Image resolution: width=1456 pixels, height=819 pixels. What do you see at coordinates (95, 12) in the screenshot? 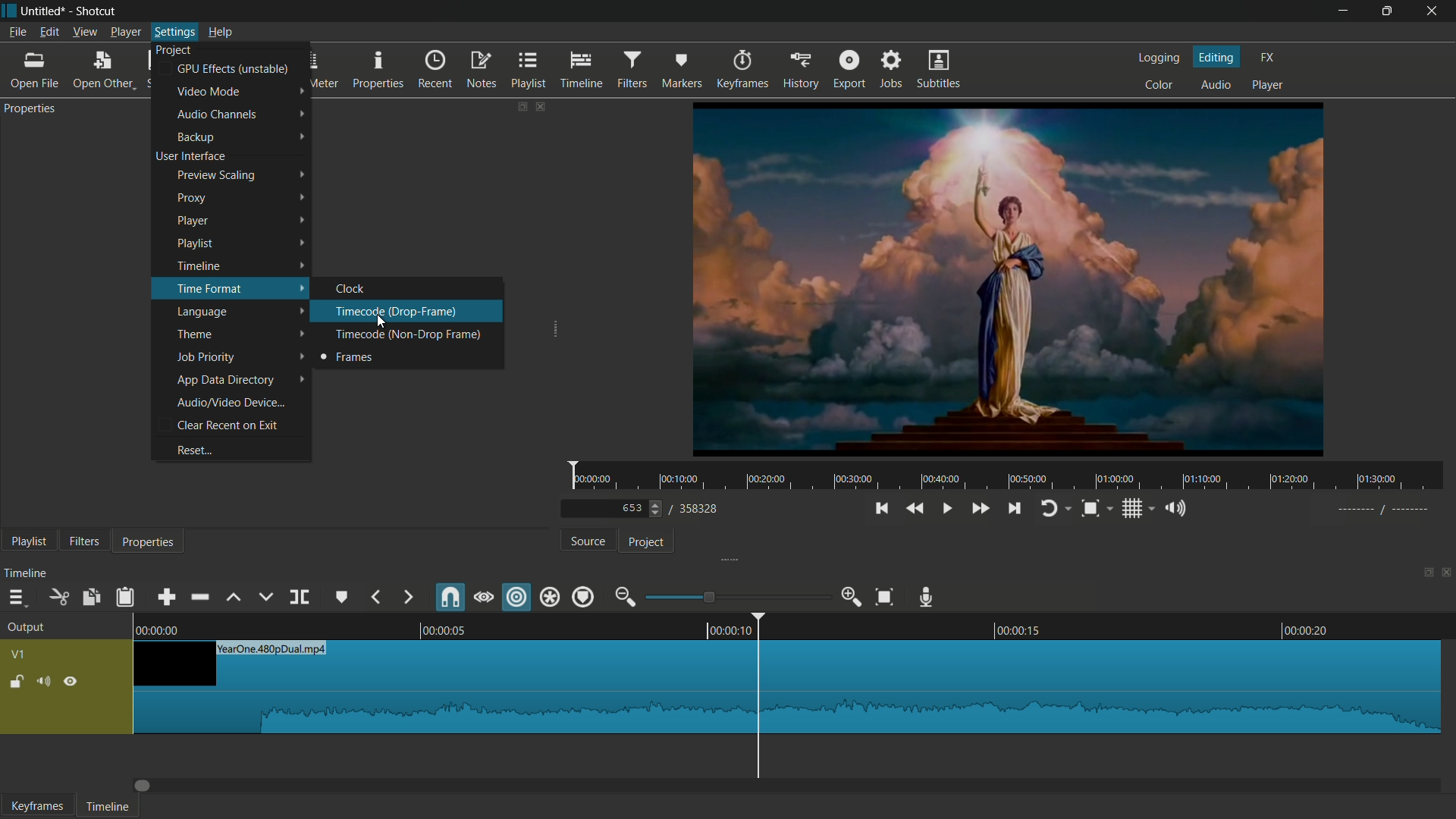
I see `app name` at bounding box center [95, 12].